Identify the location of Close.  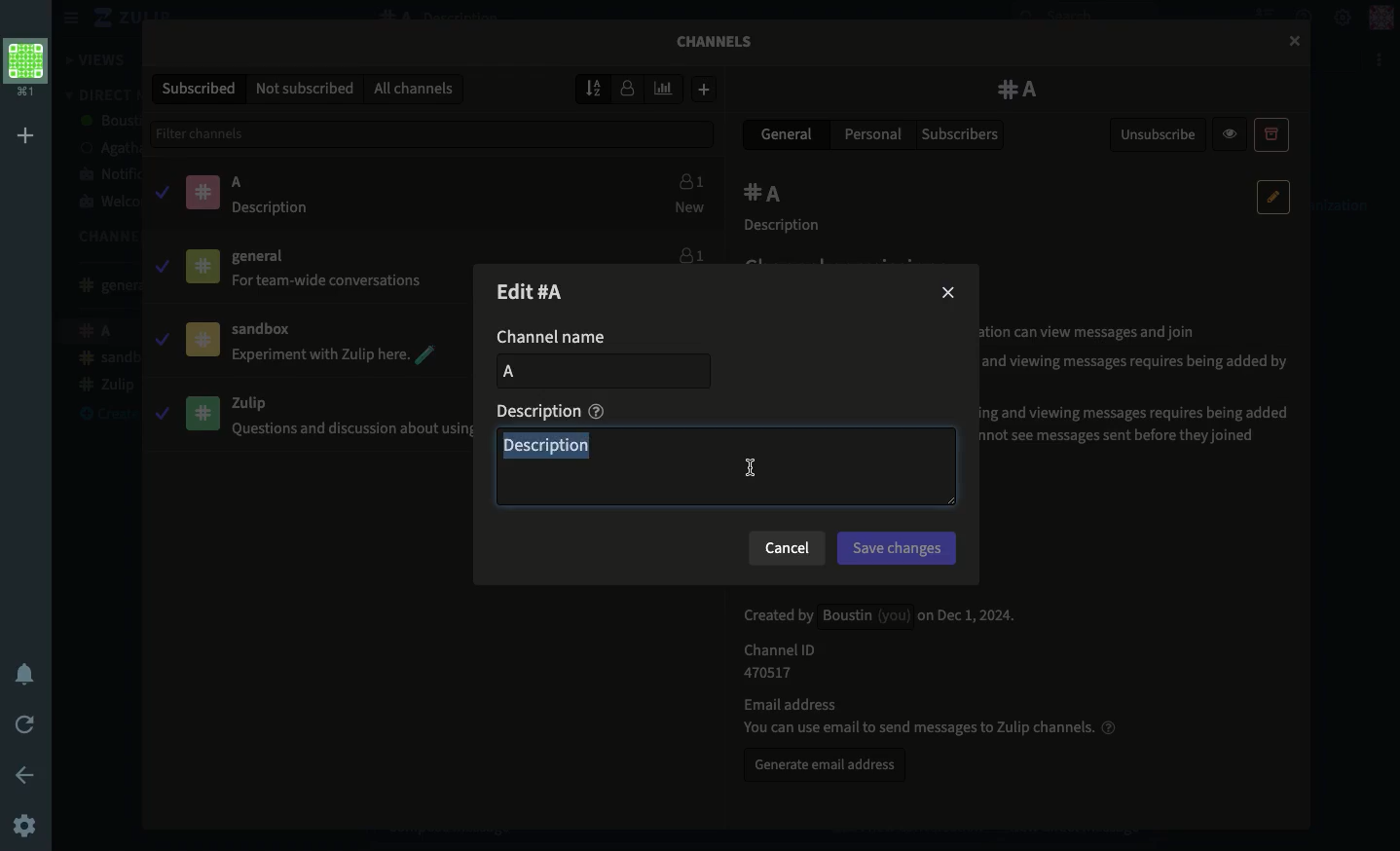
(946, 296).